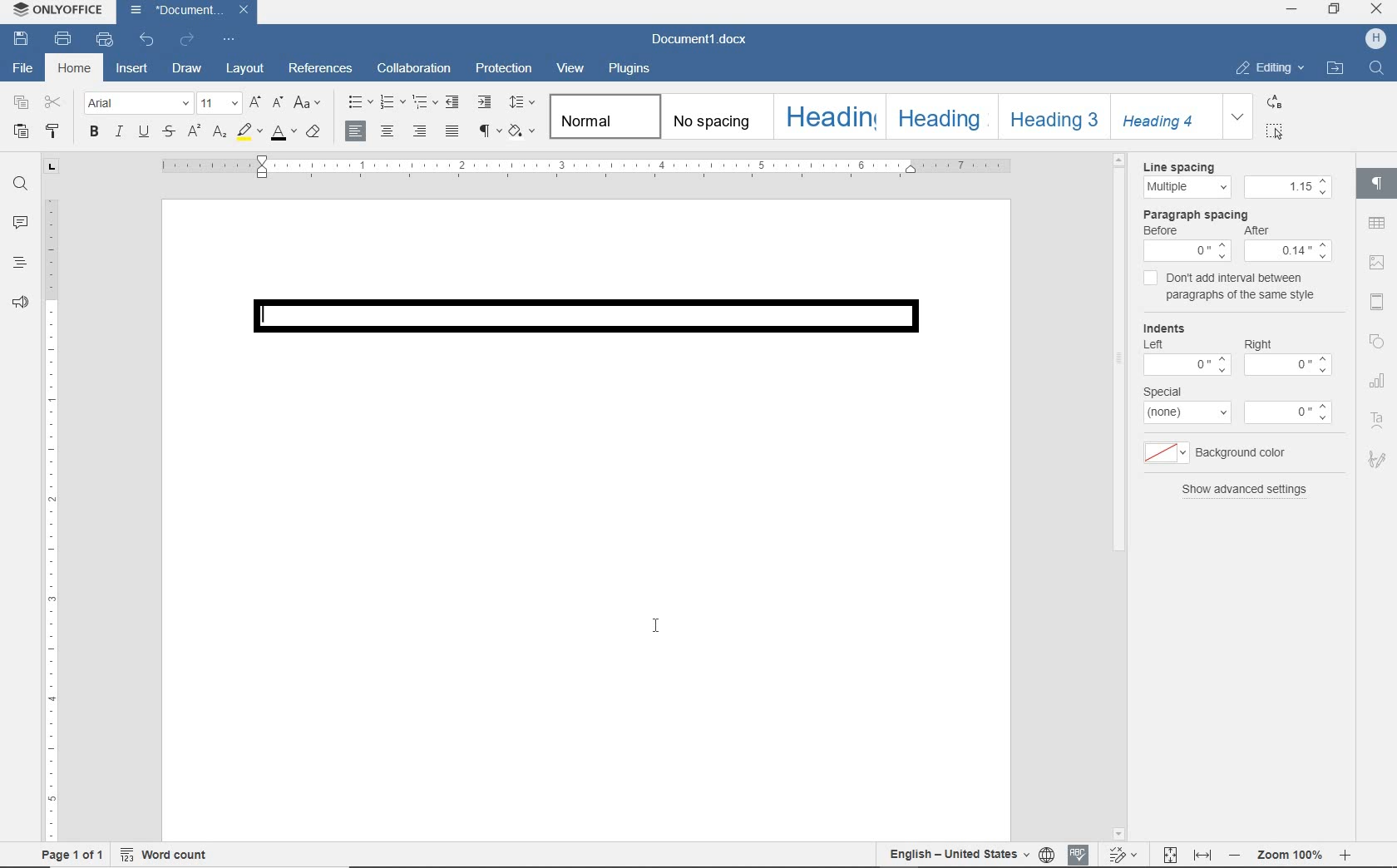 Image resolution: width=1397 pixels, height=868 pixels. Describe the element at coordinates (248, 133) in the screenshot. I see `highlight color` at that location.